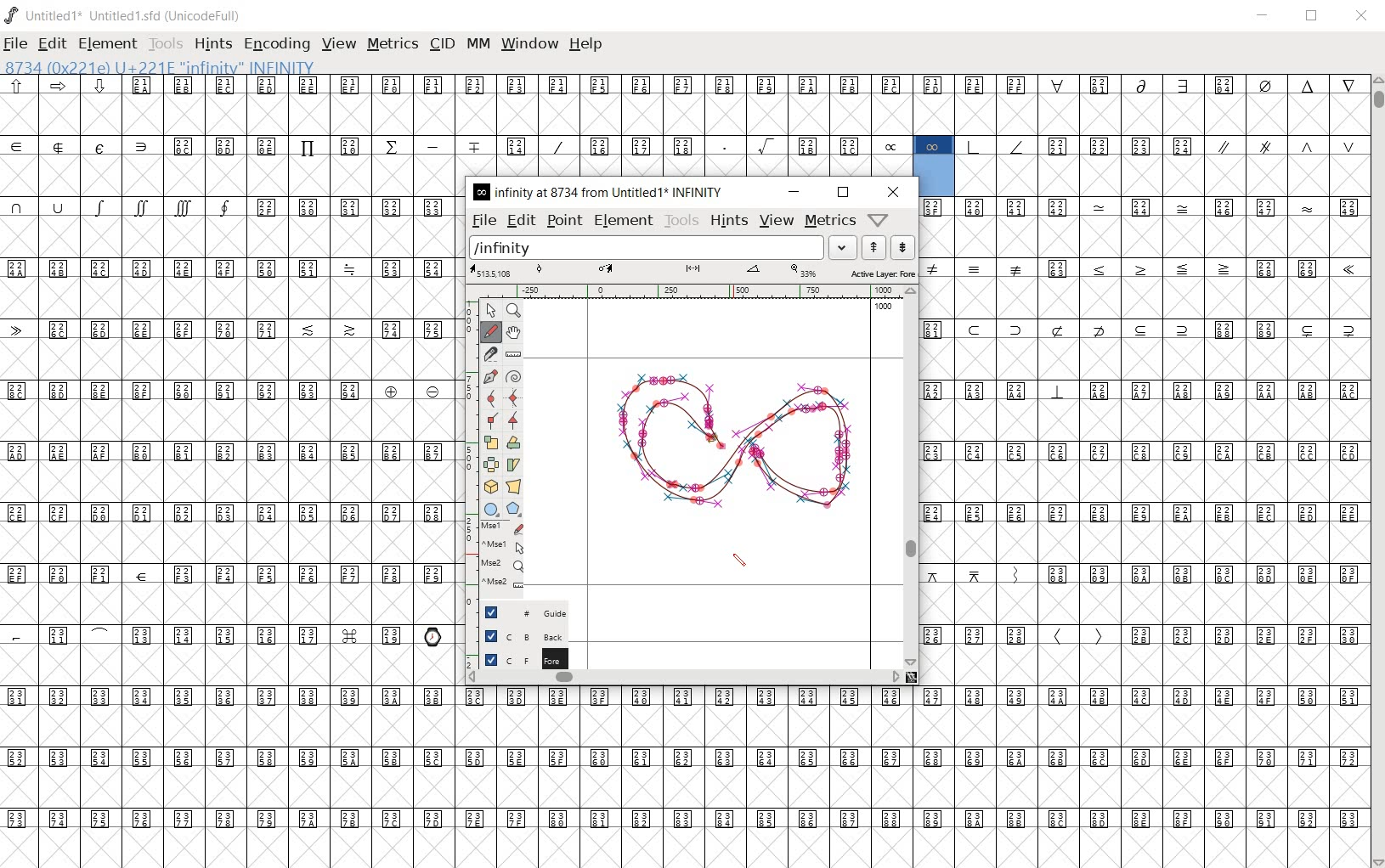 Image resolution: width=1385 pixels, height=868 pixels. I want to click on Unicode code points, so click(516, 145).